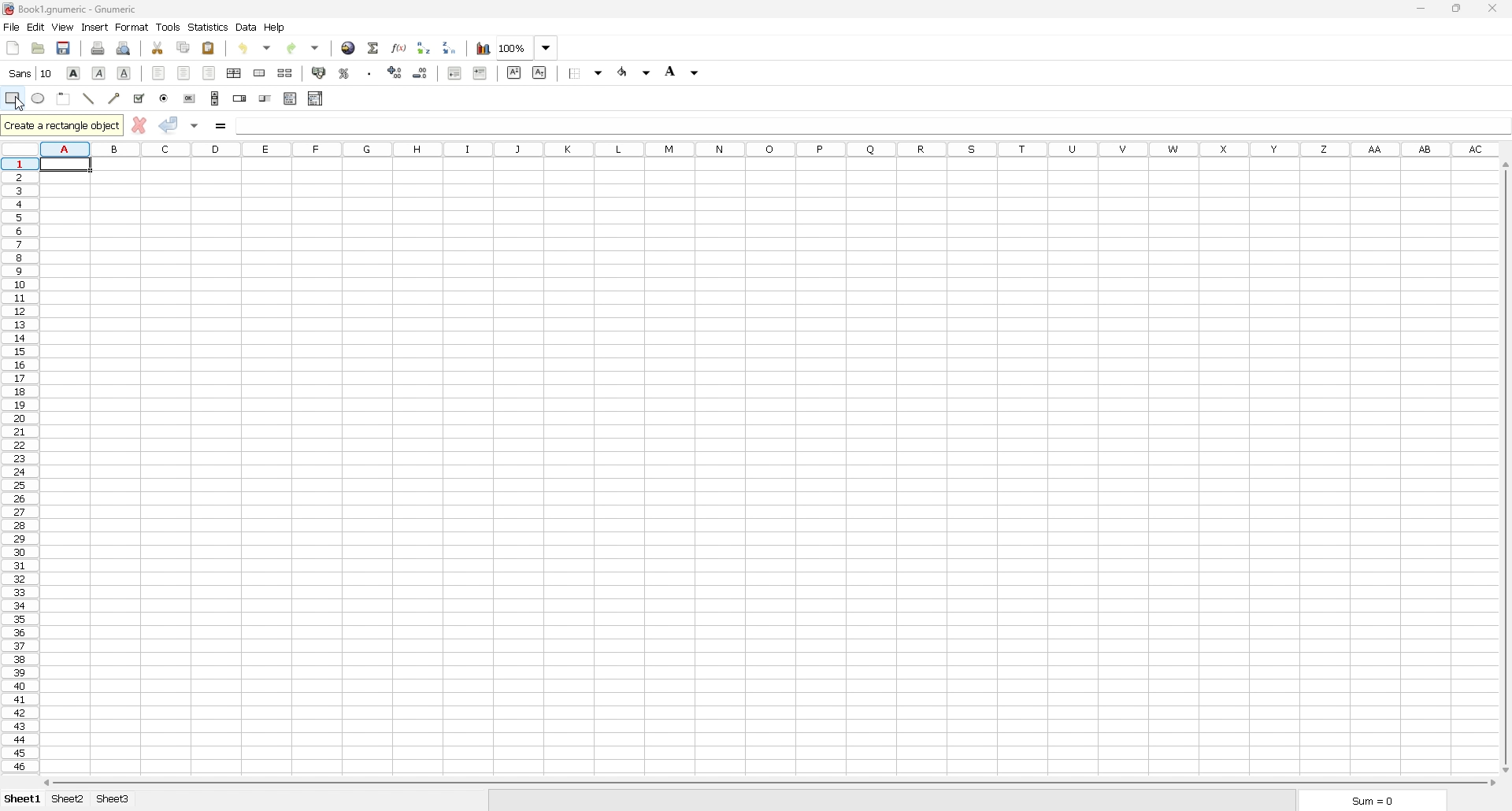  I want to click on scroll bar, so click(1504, 468).